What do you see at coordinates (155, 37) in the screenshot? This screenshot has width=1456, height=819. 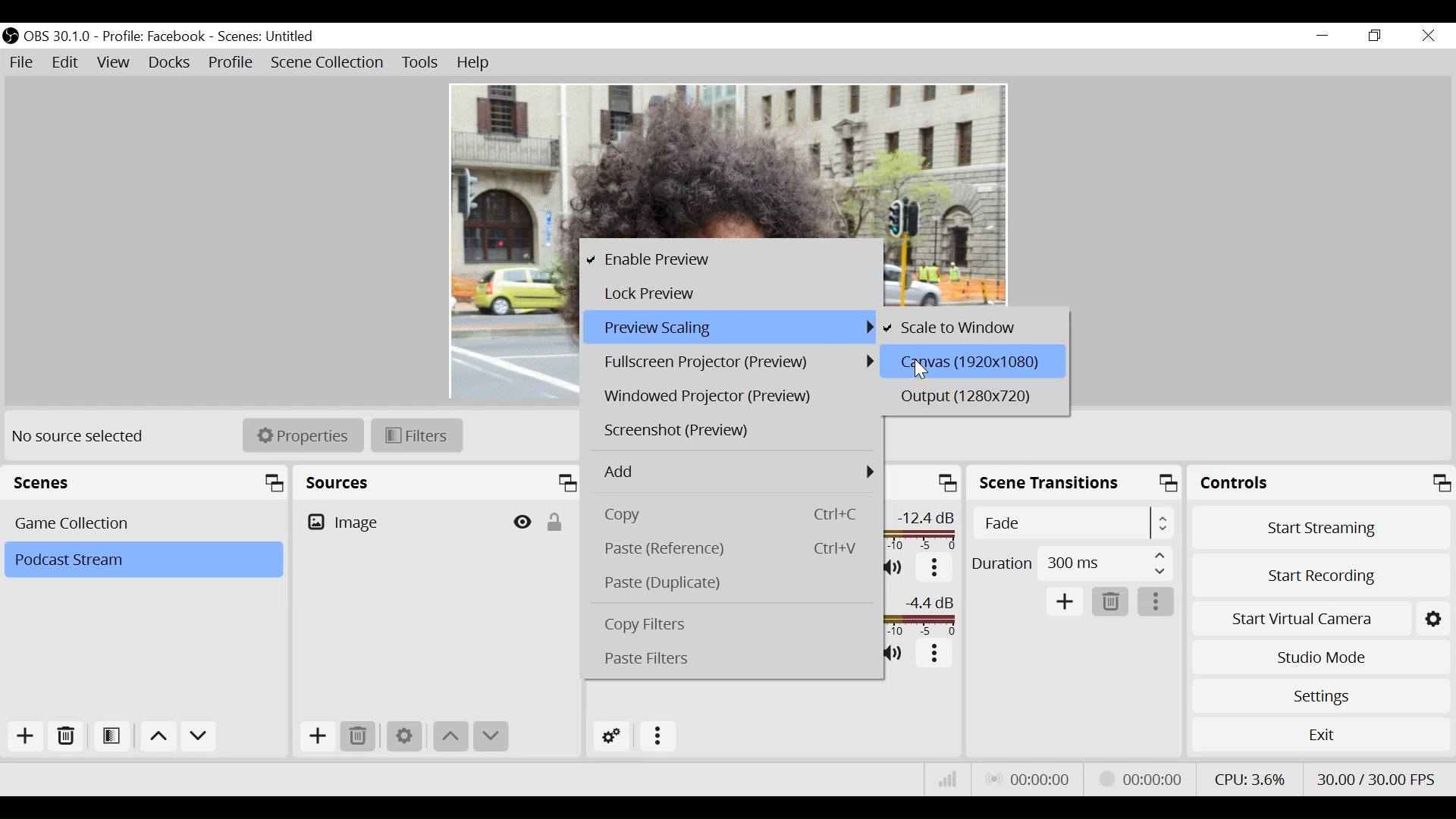 I see `Profile` at bounding box center [155, 37].